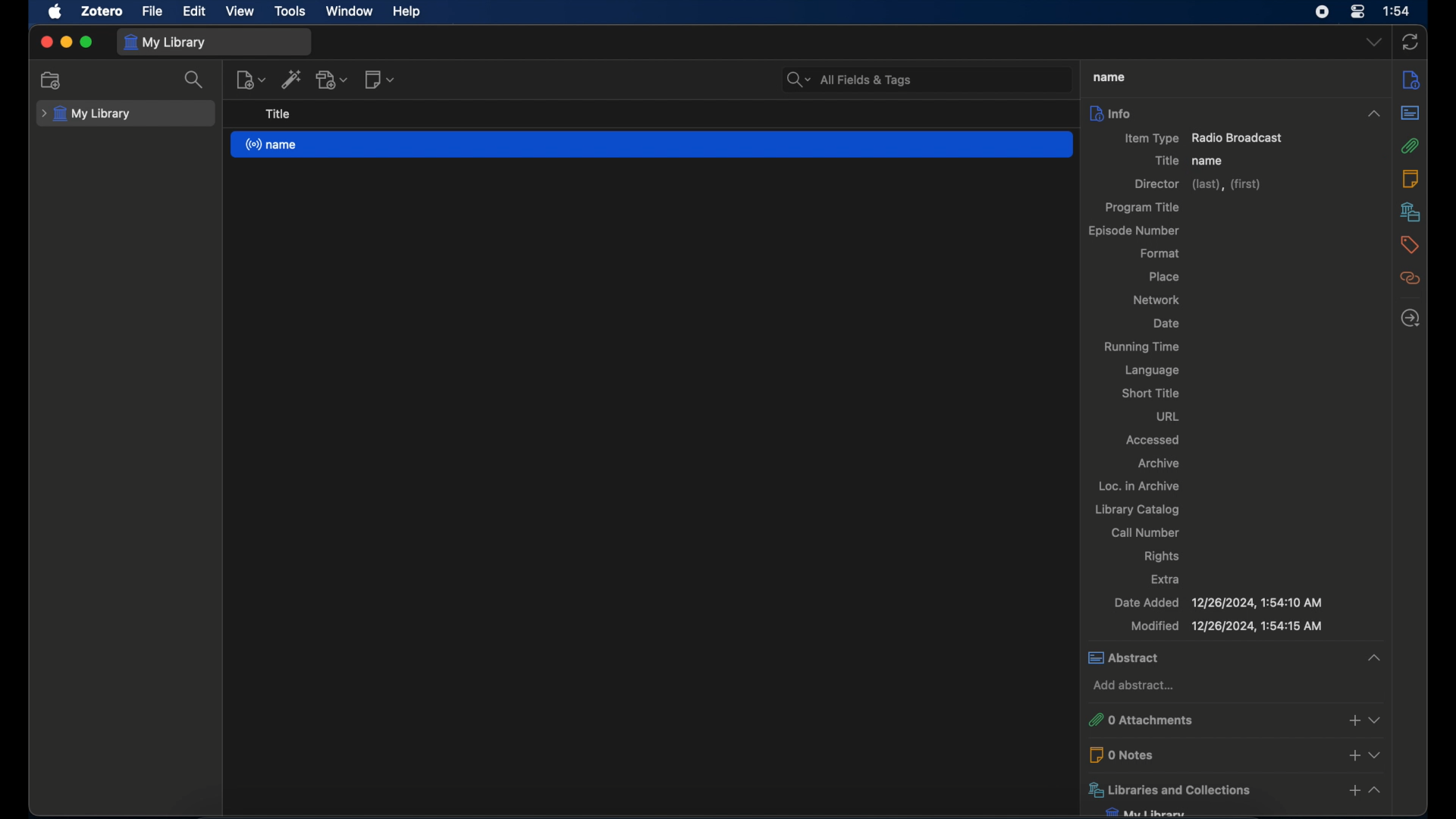 The image size is (1456, 819). I want to click on running time, so click(1141, 347).